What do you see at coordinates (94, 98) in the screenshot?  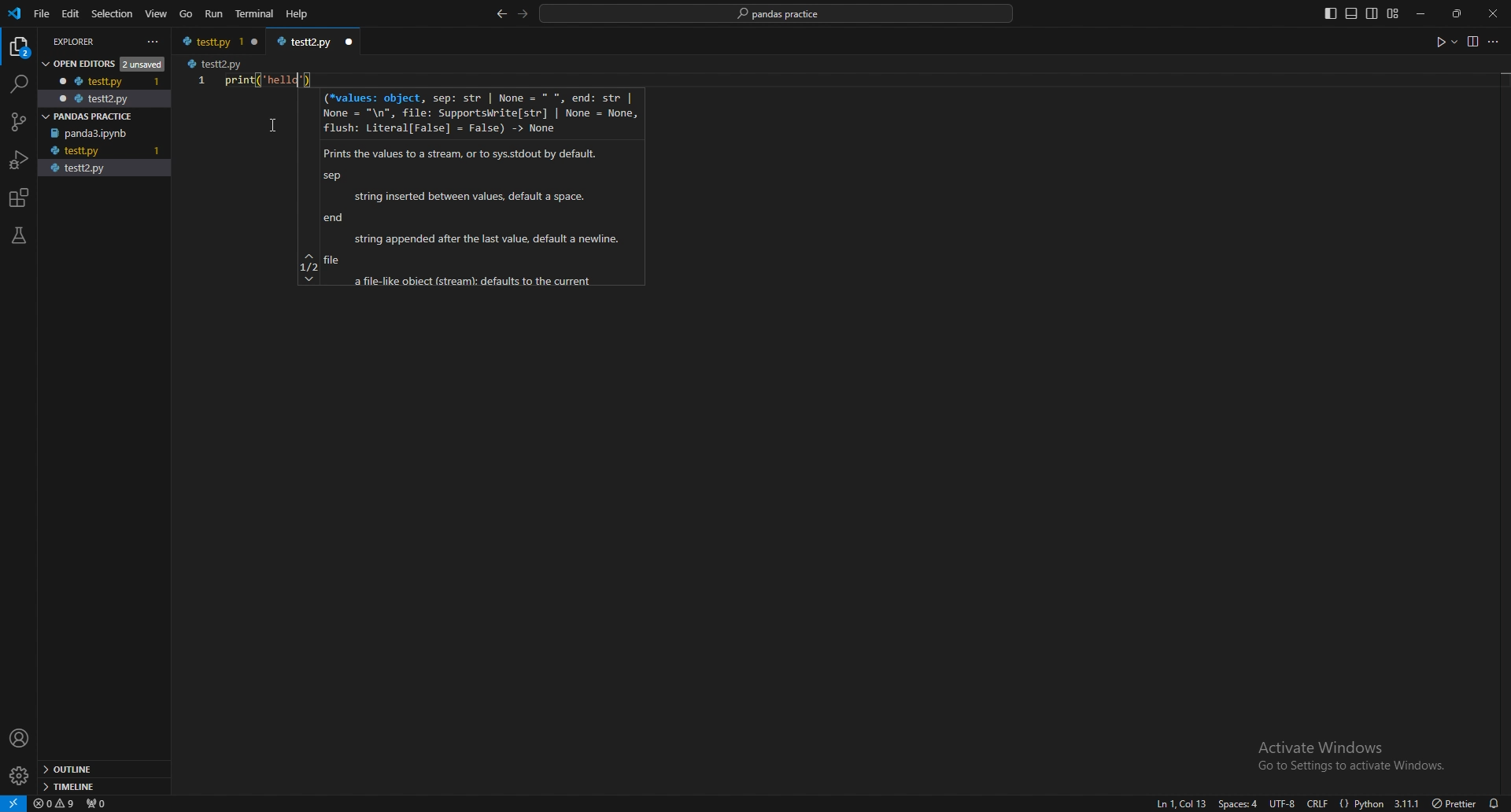 I see `testt2.py` at bounding box center [94, 98].